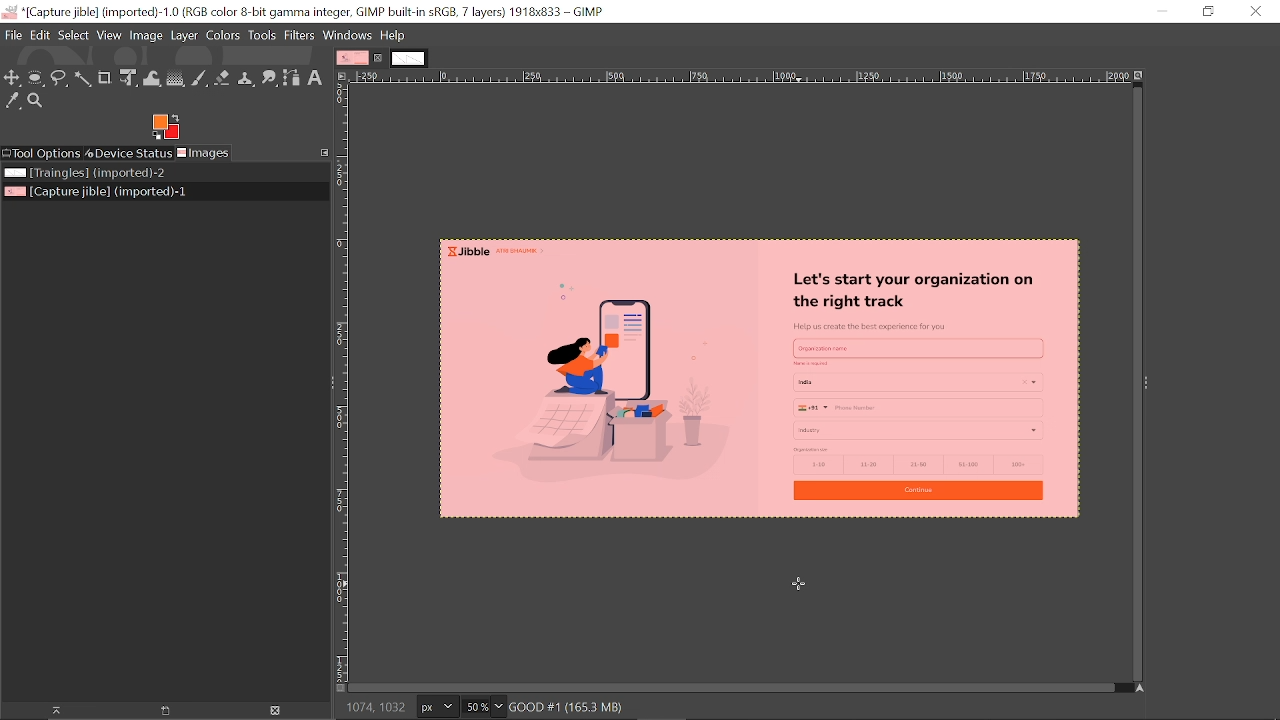  I want to click on Delete image, so click(275, 711).